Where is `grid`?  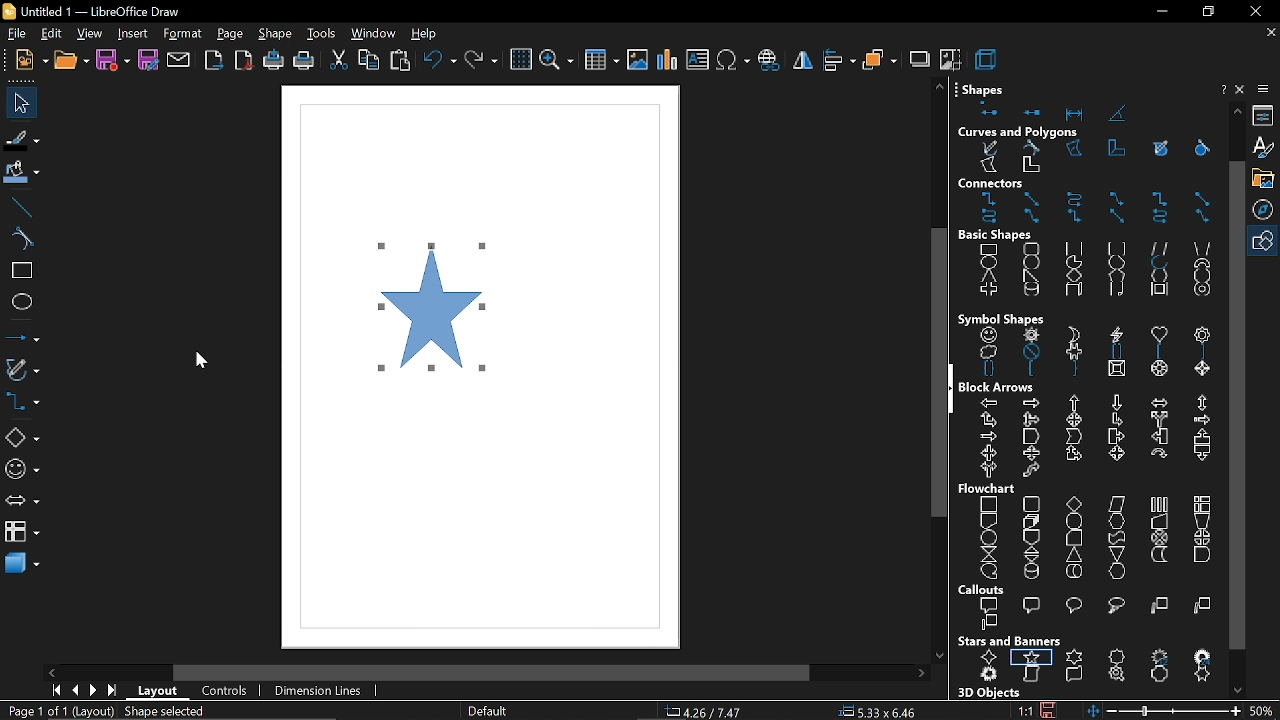 grid is located at coordinates (520, 60).